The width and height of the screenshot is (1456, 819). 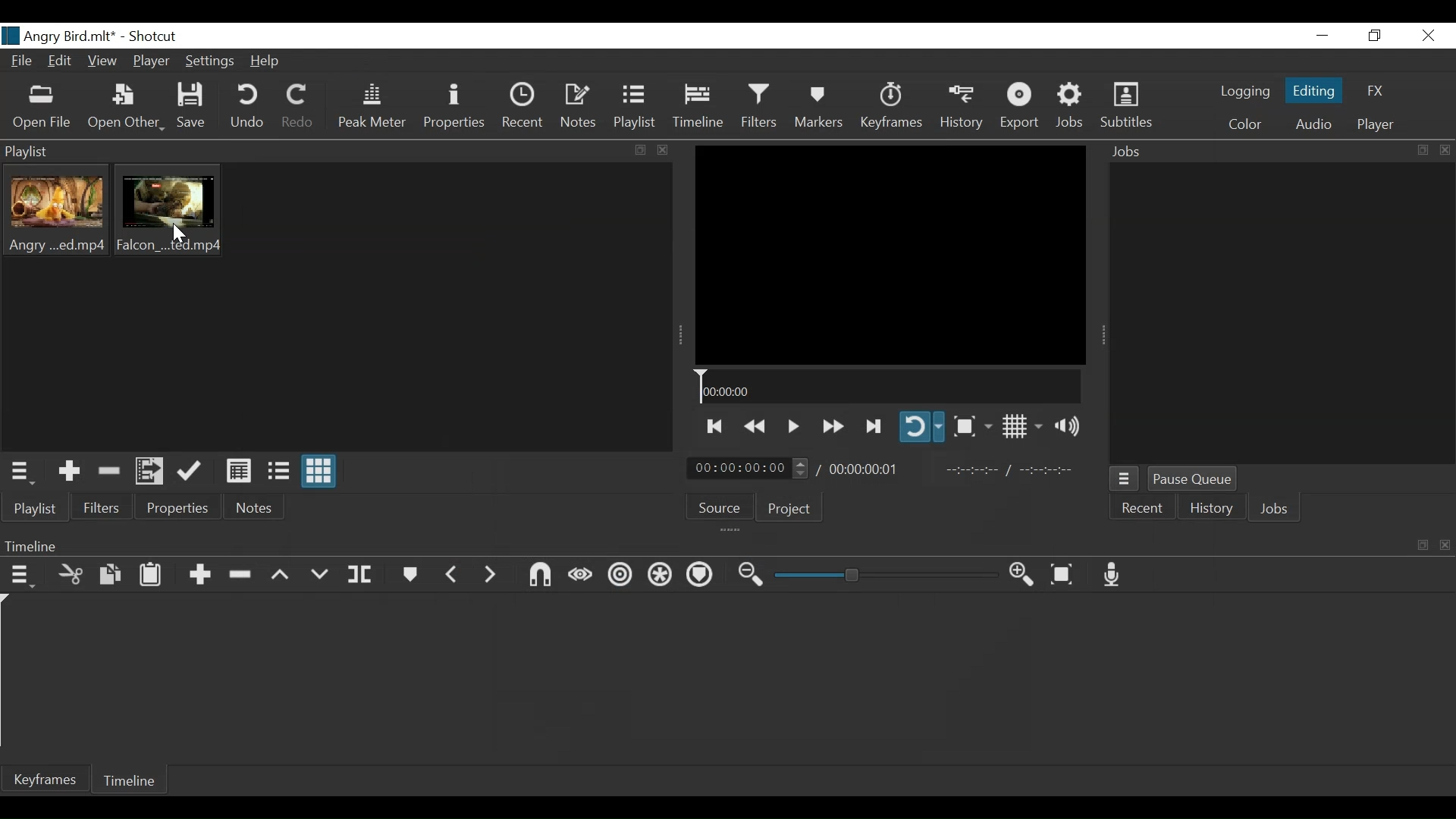 I want to click on Markers, so click(x=409, y=575).